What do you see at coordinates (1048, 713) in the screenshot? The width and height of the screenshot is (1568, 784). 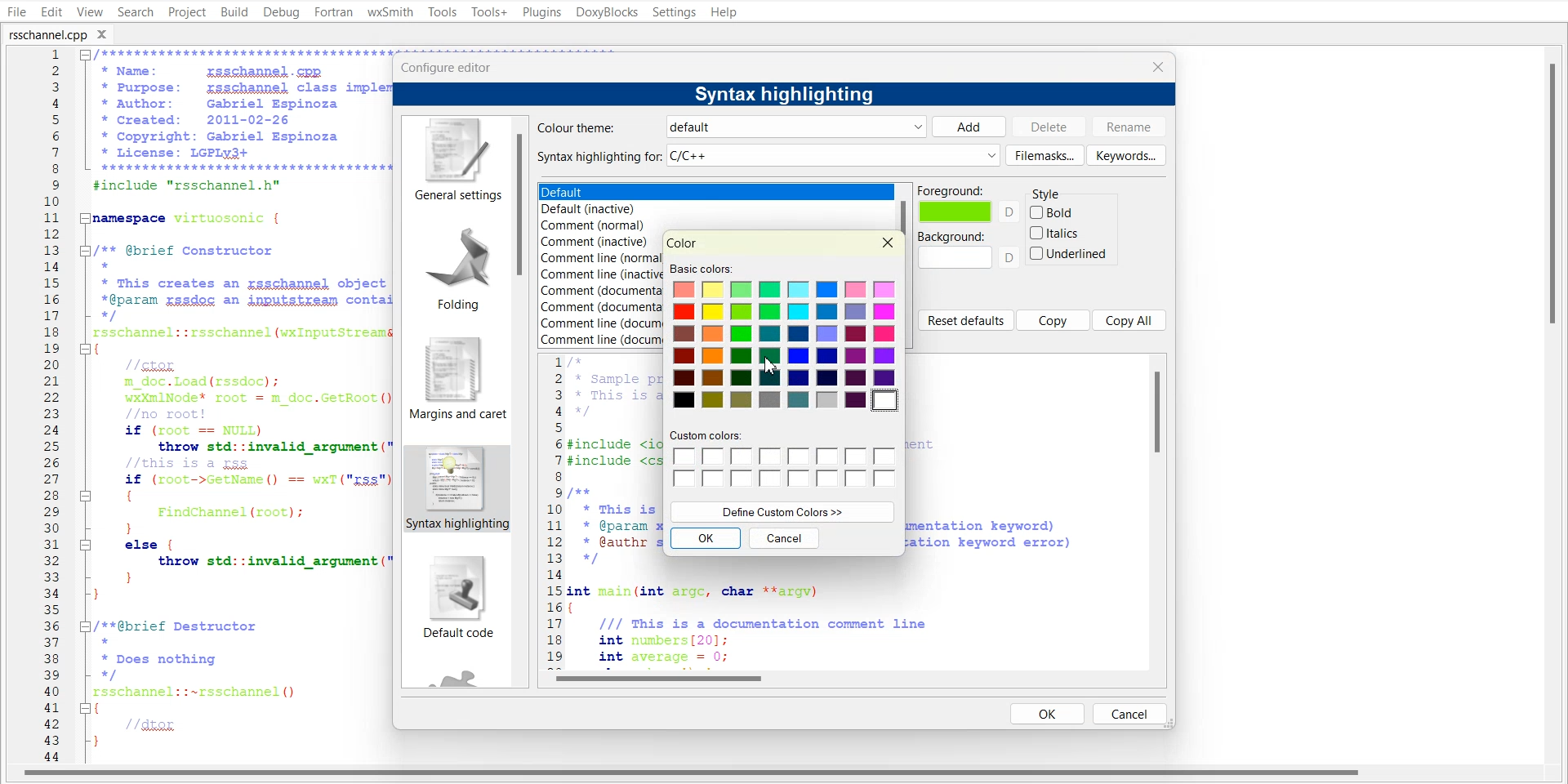 I see `OK` at bounding box center [1048, 713].